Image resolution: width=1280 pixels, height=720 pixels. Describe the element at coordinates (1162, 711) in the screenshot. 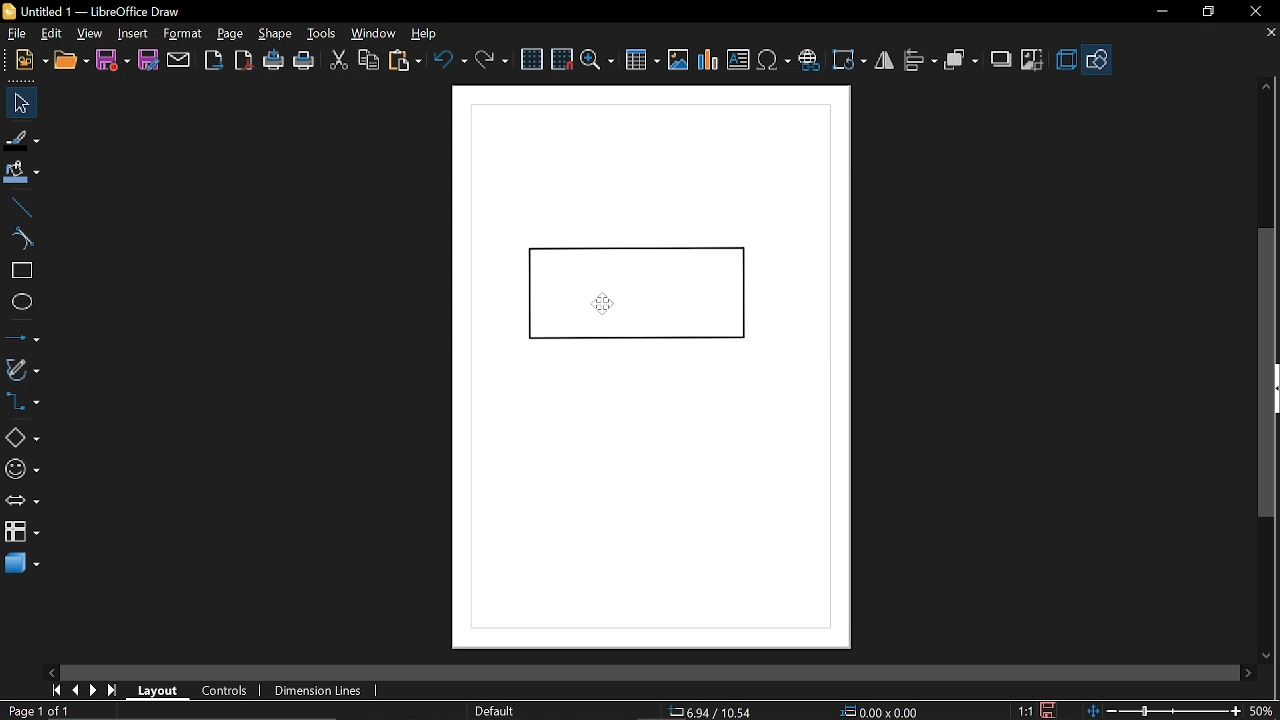

I see `change zoom` at that location.